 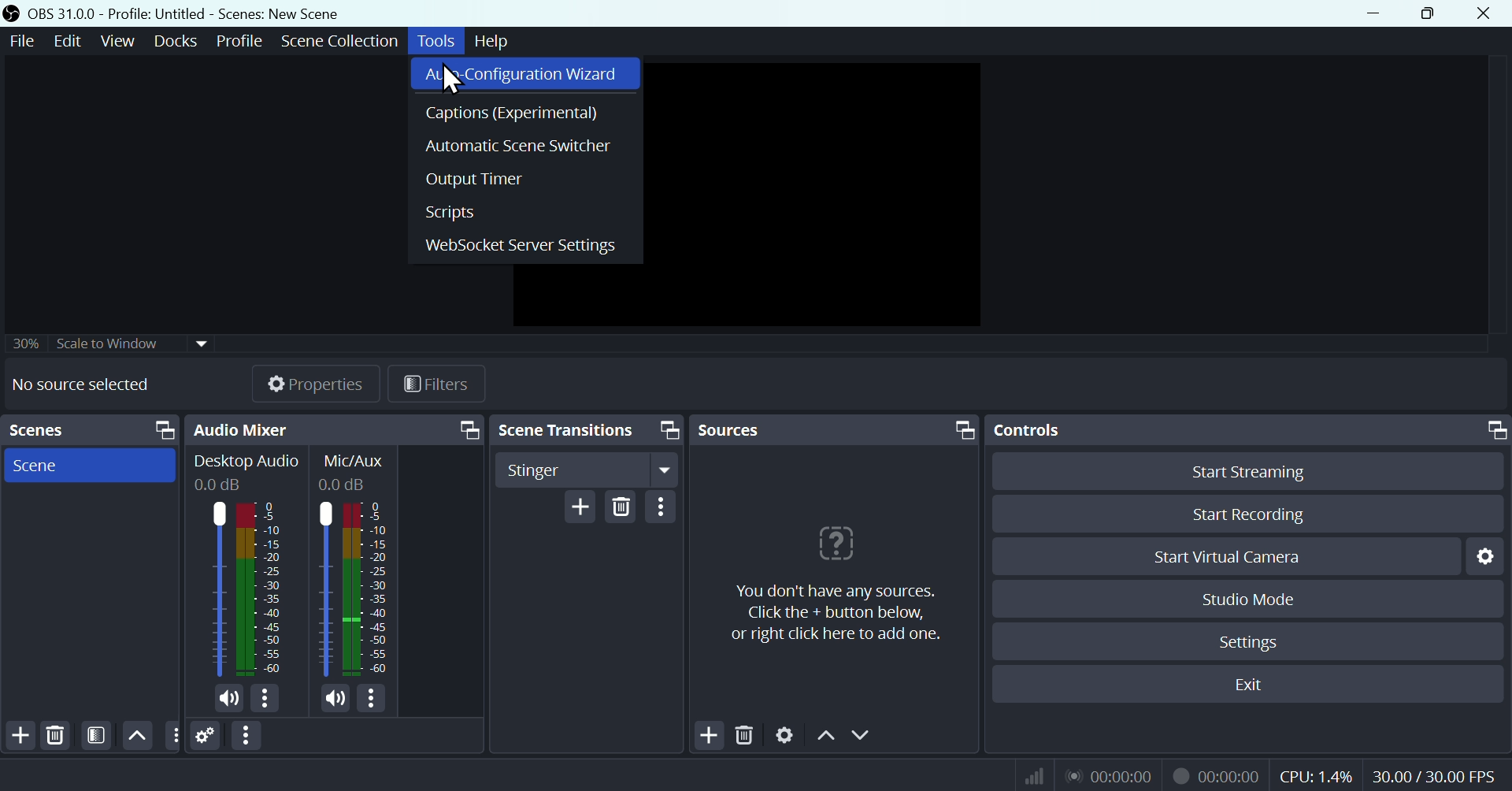 I want to click on 30.00/60.00 FPS, so click(x=1438, y=772).